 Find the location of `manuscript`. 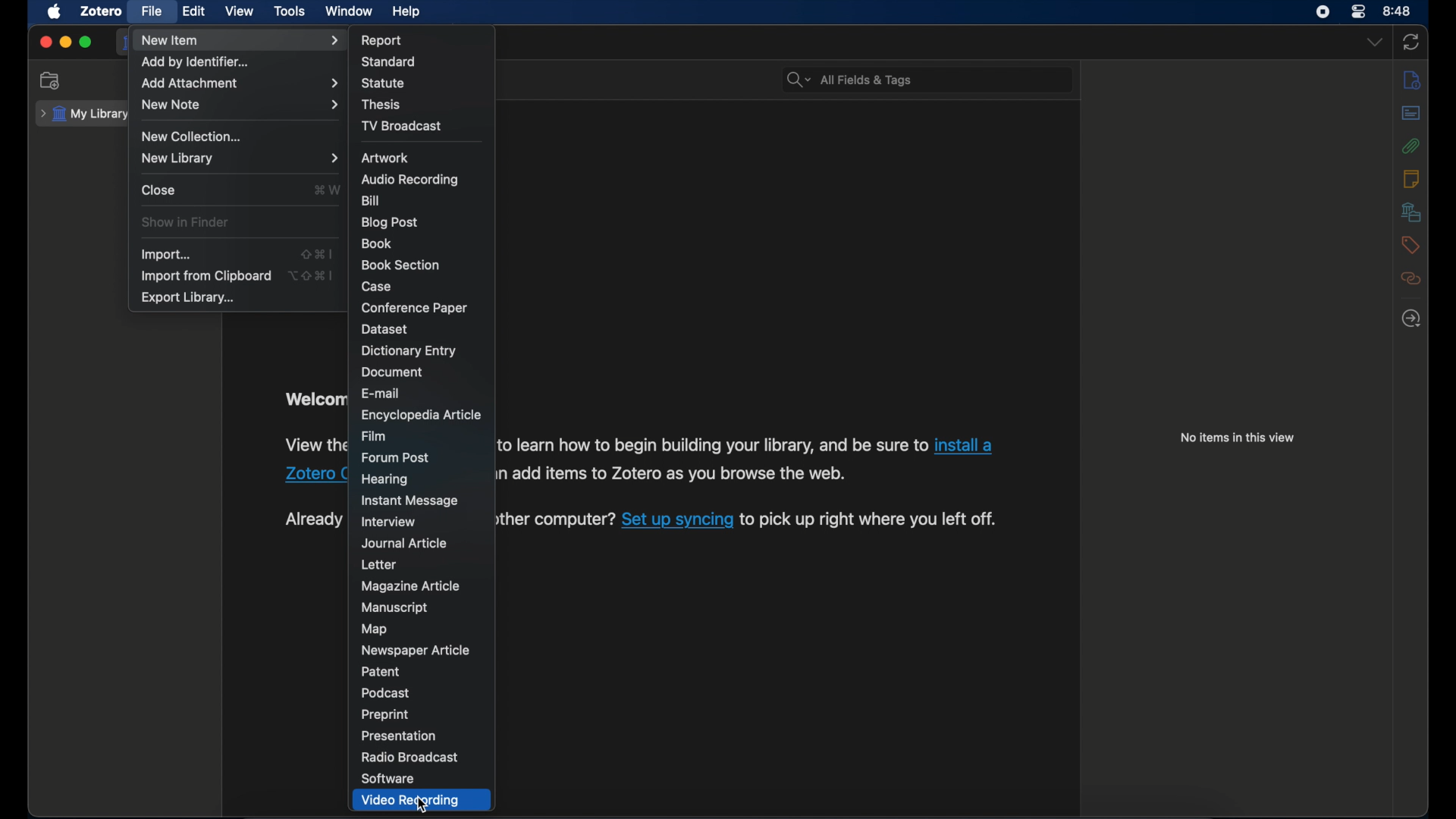

manuscript is located at coordinates (396, 608).